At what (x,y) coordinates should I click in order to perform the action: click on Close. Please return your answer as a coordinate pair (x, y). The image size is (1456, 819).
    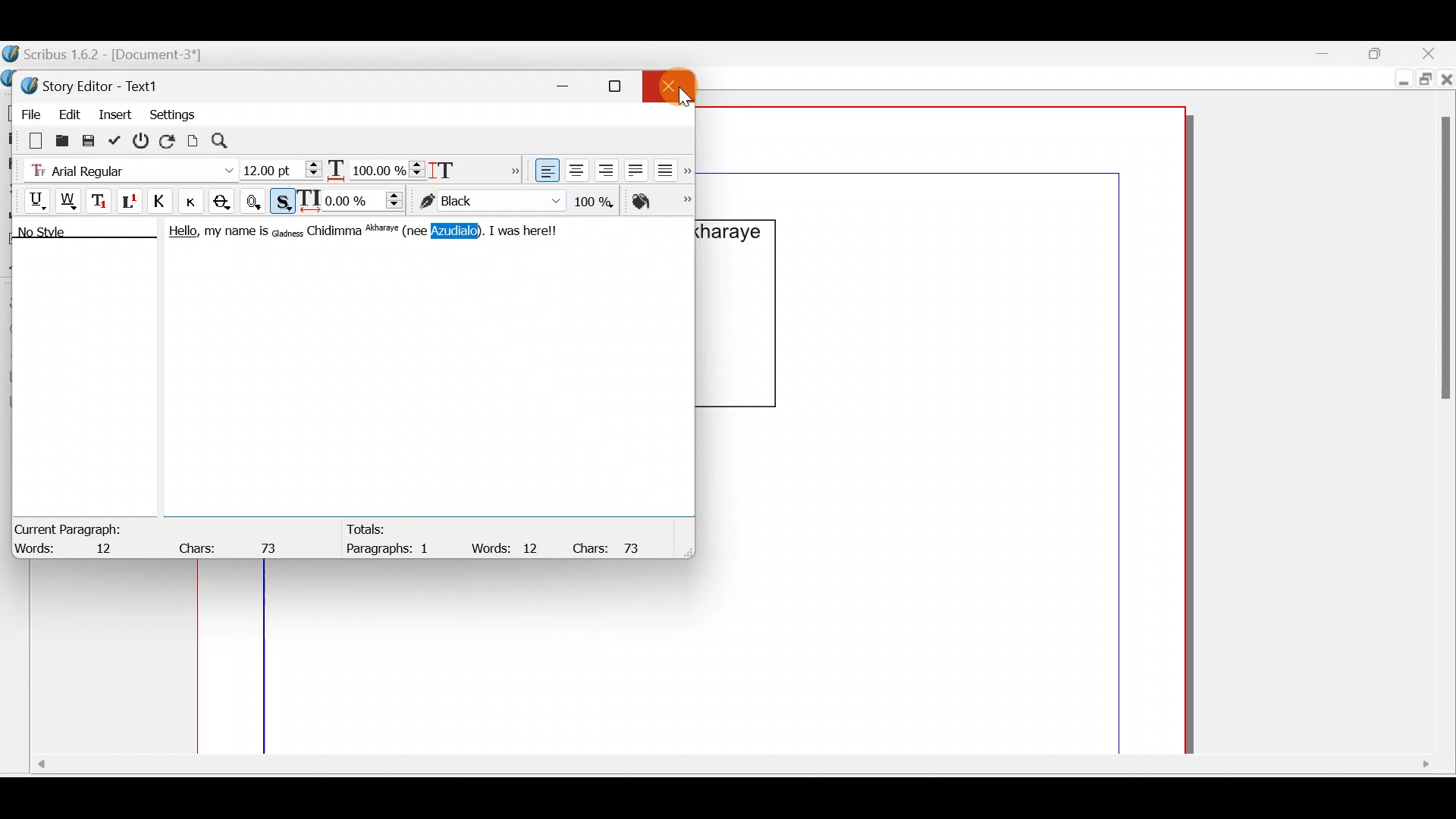
    Looking at the image, I should click on (1447, 83).